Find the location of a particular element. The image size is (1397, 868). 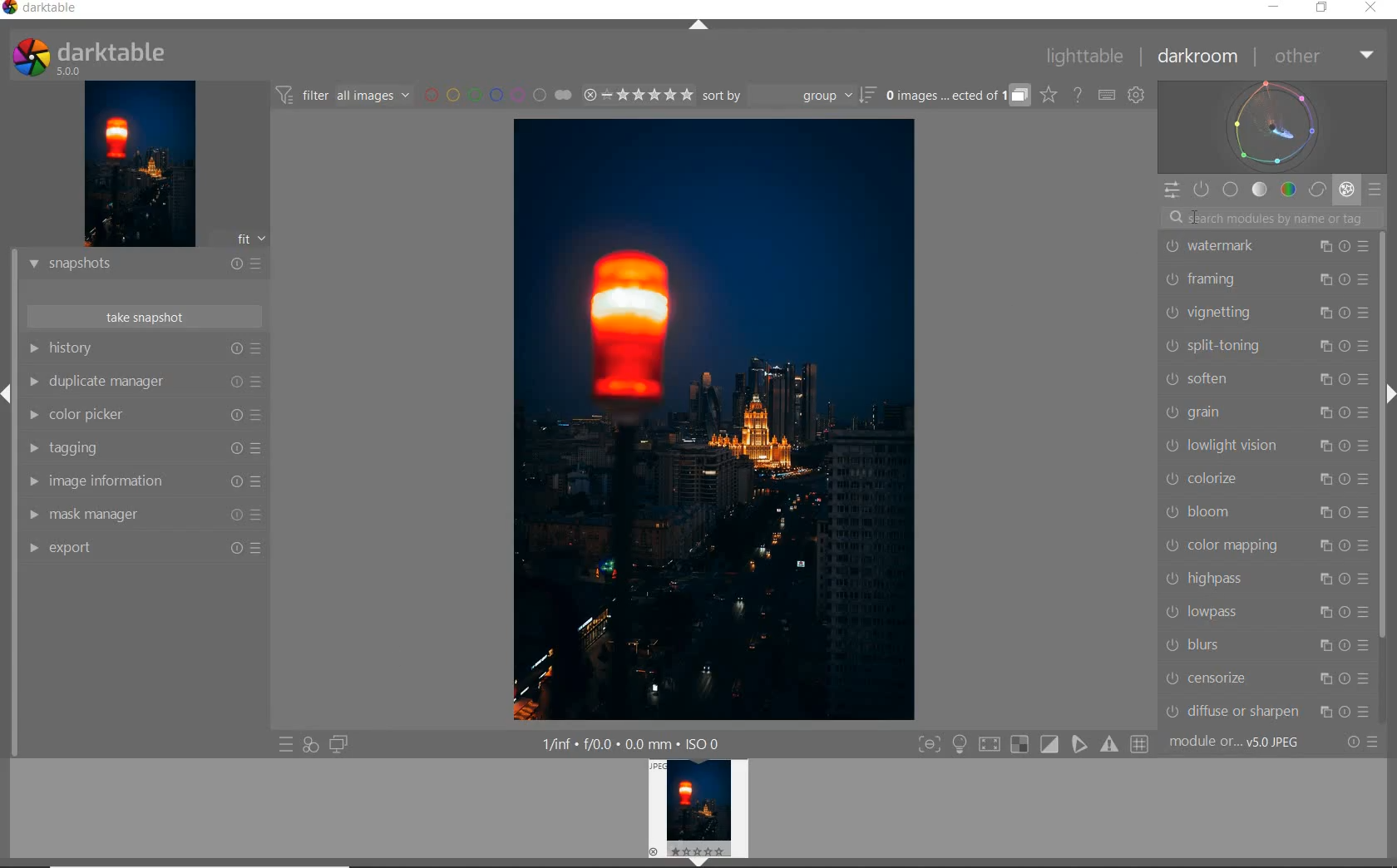

Reset is located at coordinates (1344, 545).